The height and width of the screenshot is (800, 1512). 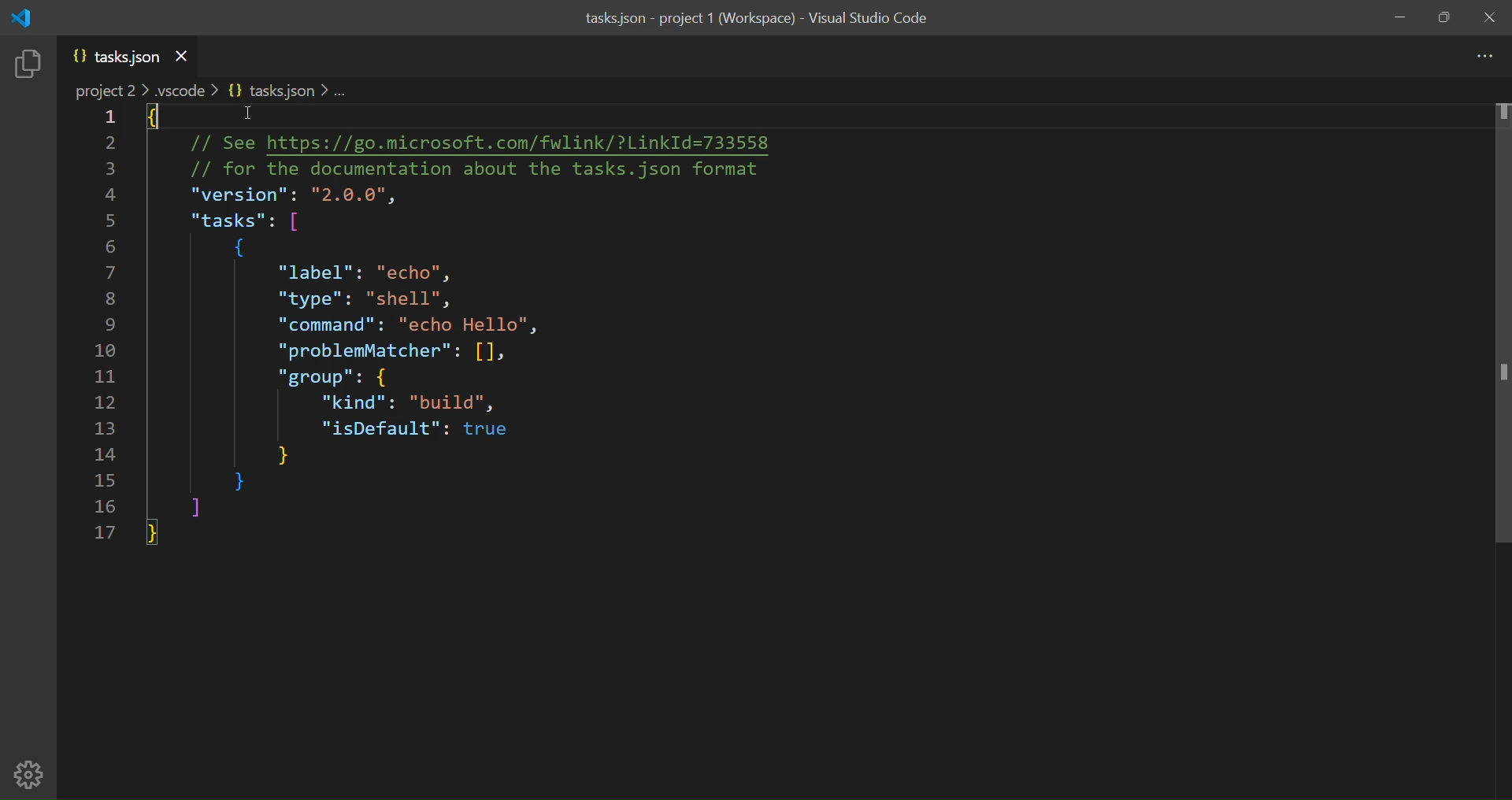 I want to click on logo, so click(x=24, y=17).